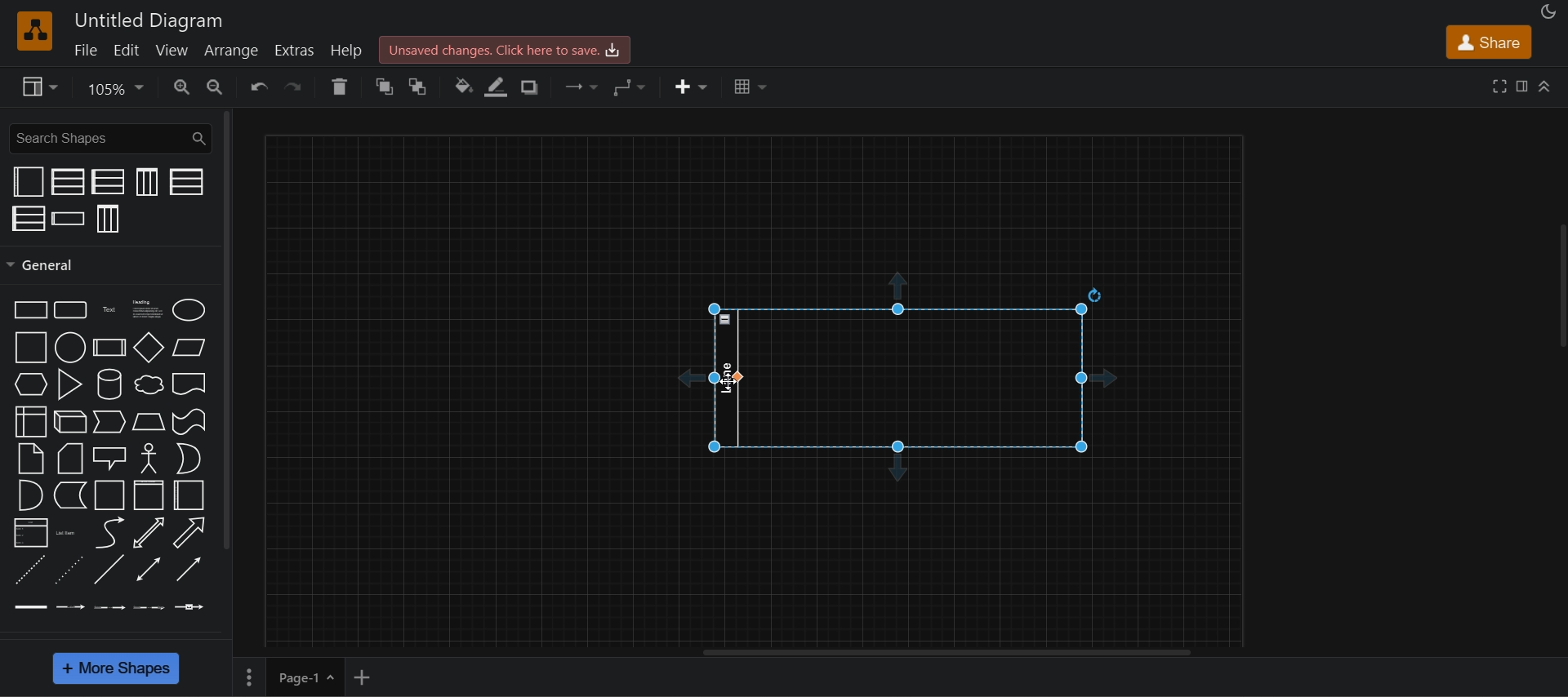  Describe the element at coordinates (501, 88) in the screenshot. I see `line color` at that location.